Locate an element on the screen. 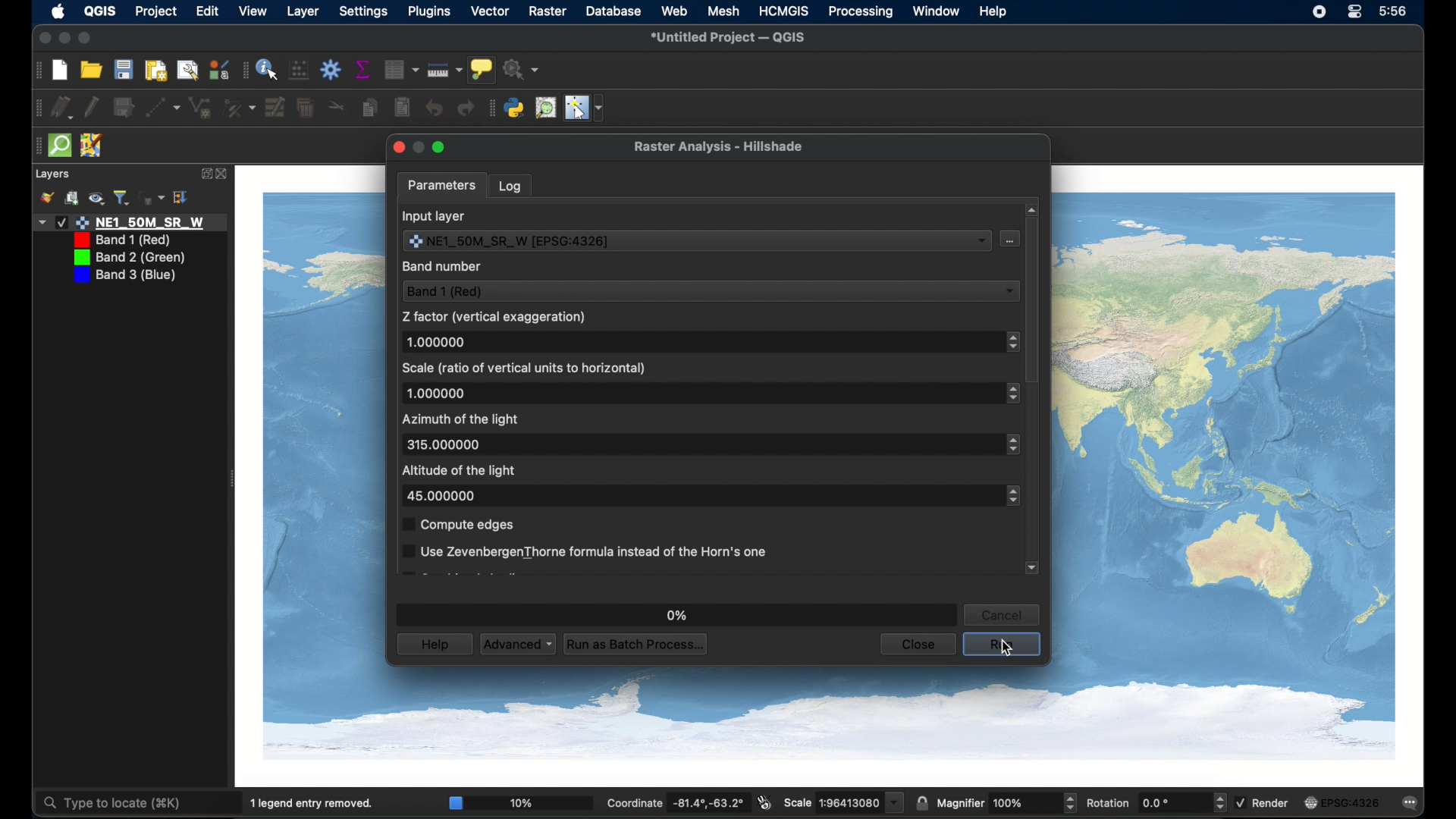 This screenshot has width=1456, height=819. raster analysis - hillshade is located at coordinates (721, 146).